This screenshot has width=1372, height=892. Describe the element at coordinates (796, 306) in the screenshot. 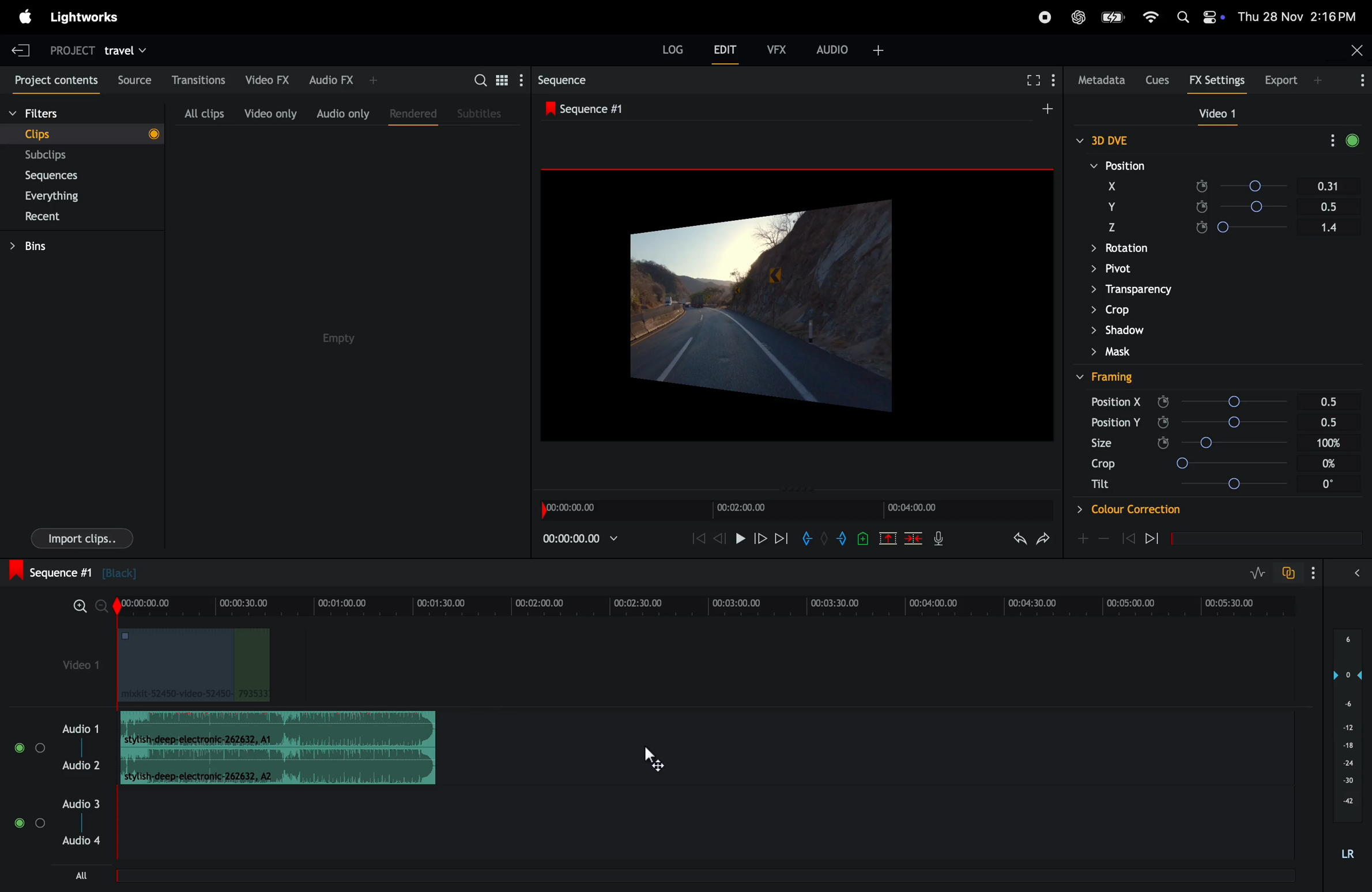

I see `output video` at that location.